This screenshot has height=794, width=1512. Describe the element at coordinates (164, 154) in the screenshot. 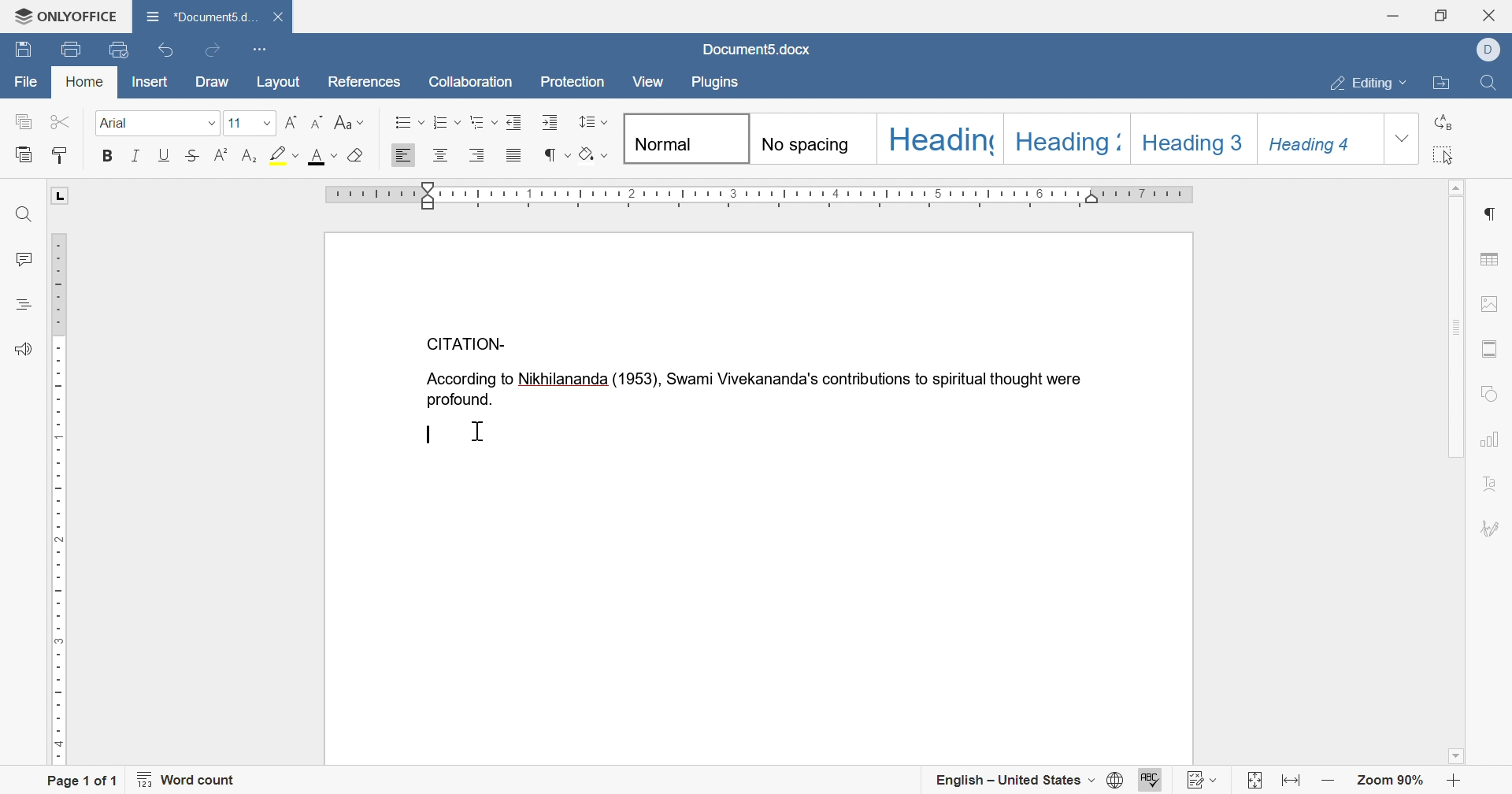

I see `underline` at that location.